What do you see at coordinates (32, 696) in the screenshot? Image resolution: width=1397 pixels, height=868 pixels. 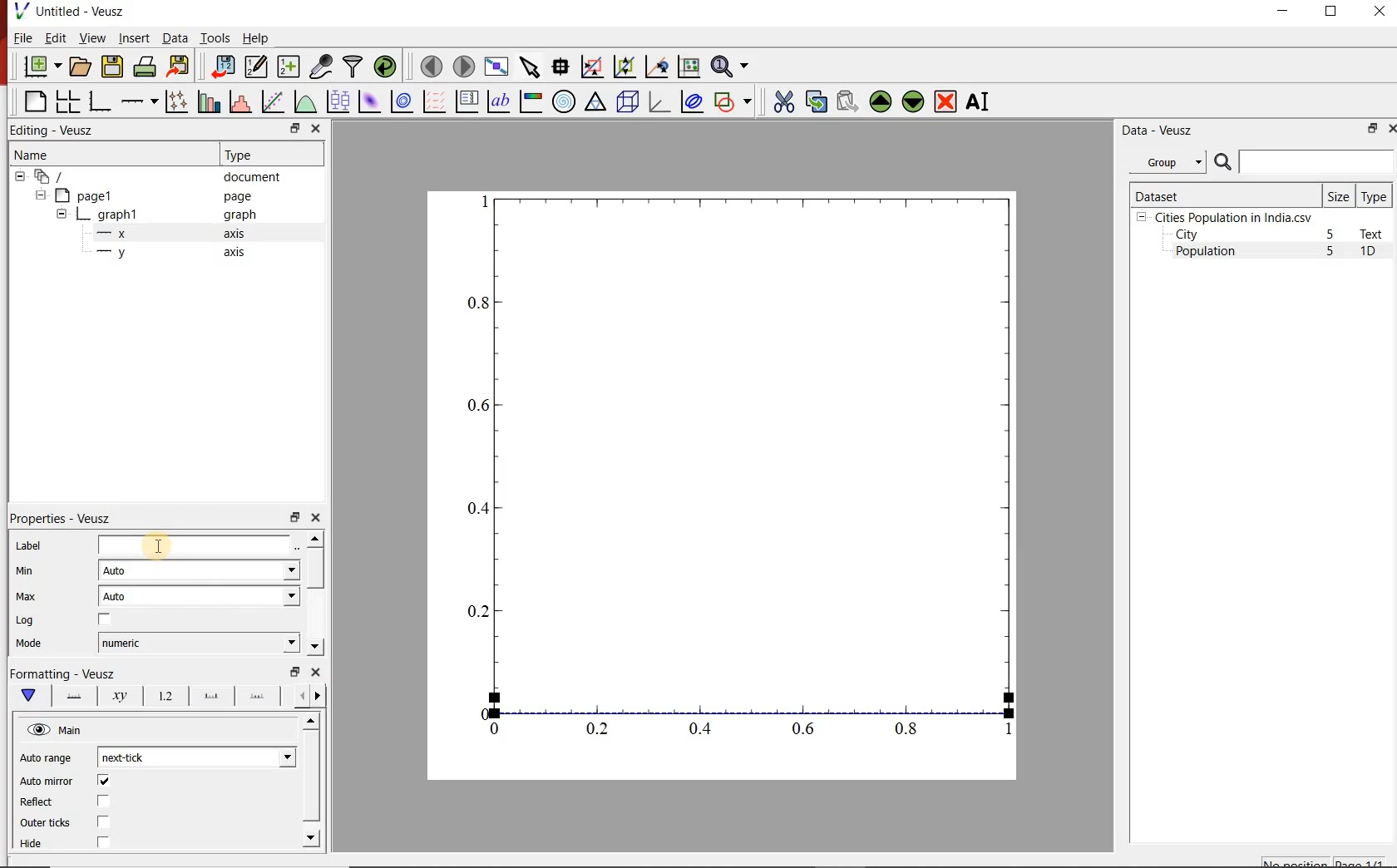 I see `Main formatting` at bounding box center [32, 696].